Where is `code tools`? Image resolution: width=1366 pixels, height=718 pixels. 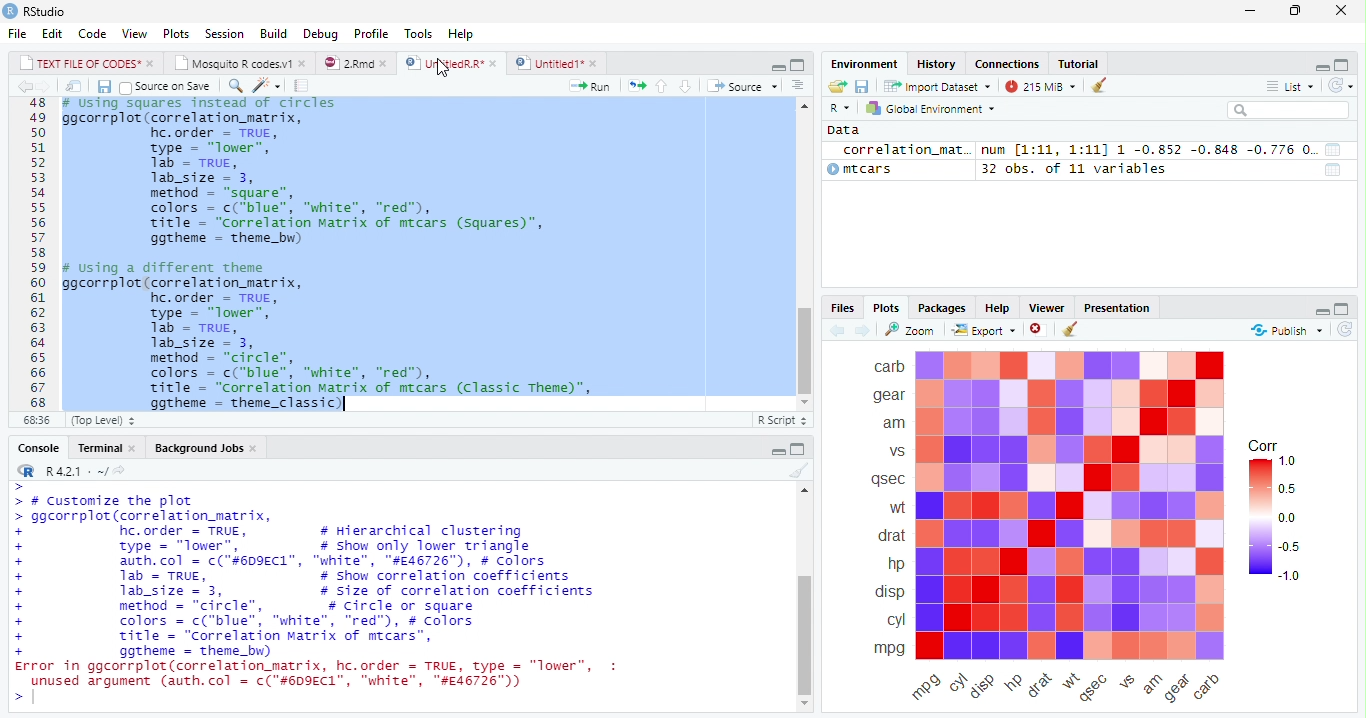 code tools is located at coordinates (266, 89).